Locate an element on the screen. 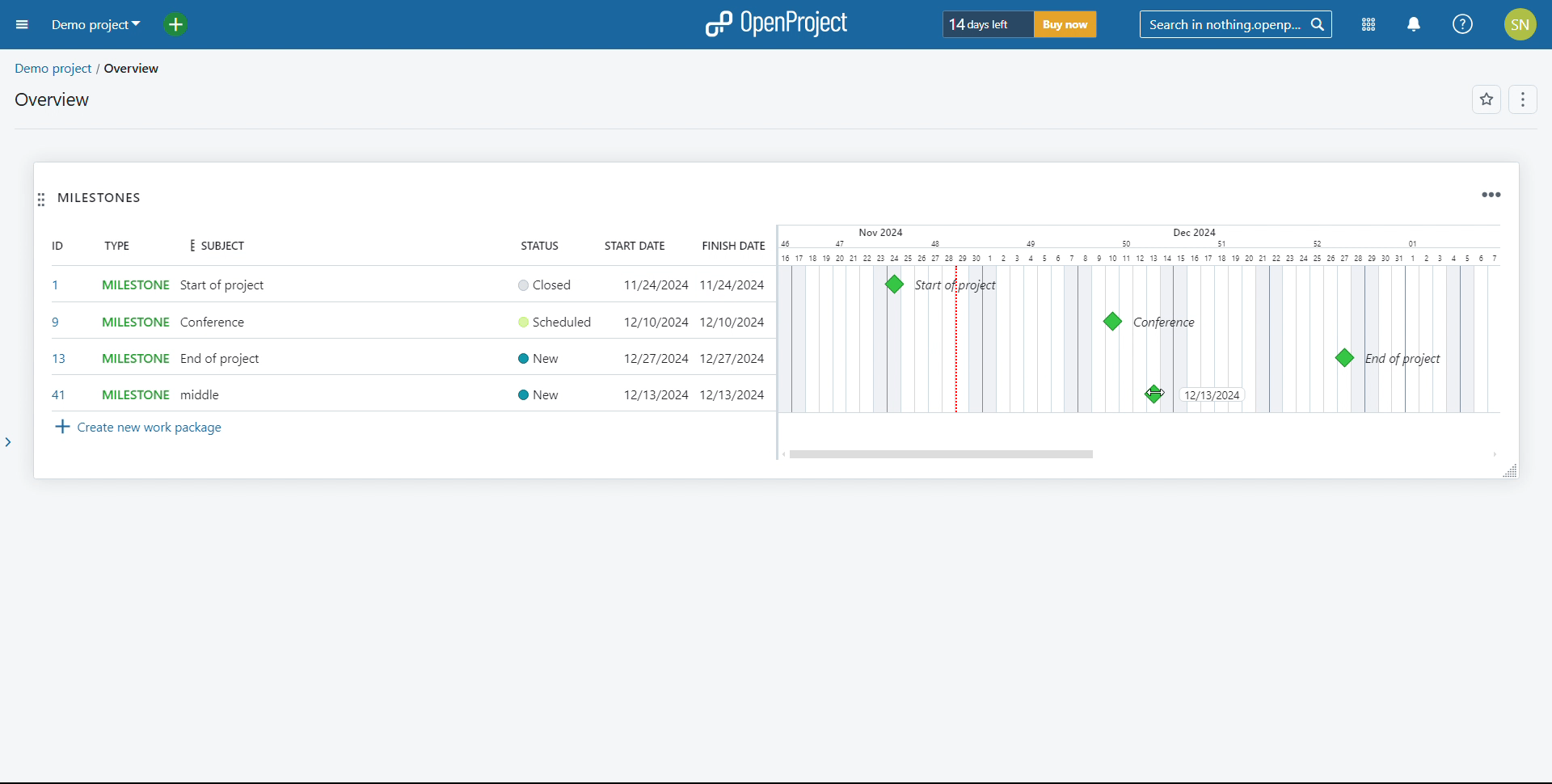 The height and width of the screenshot is (784, 1552). demo project/overview is located at coordinates (89, 69).